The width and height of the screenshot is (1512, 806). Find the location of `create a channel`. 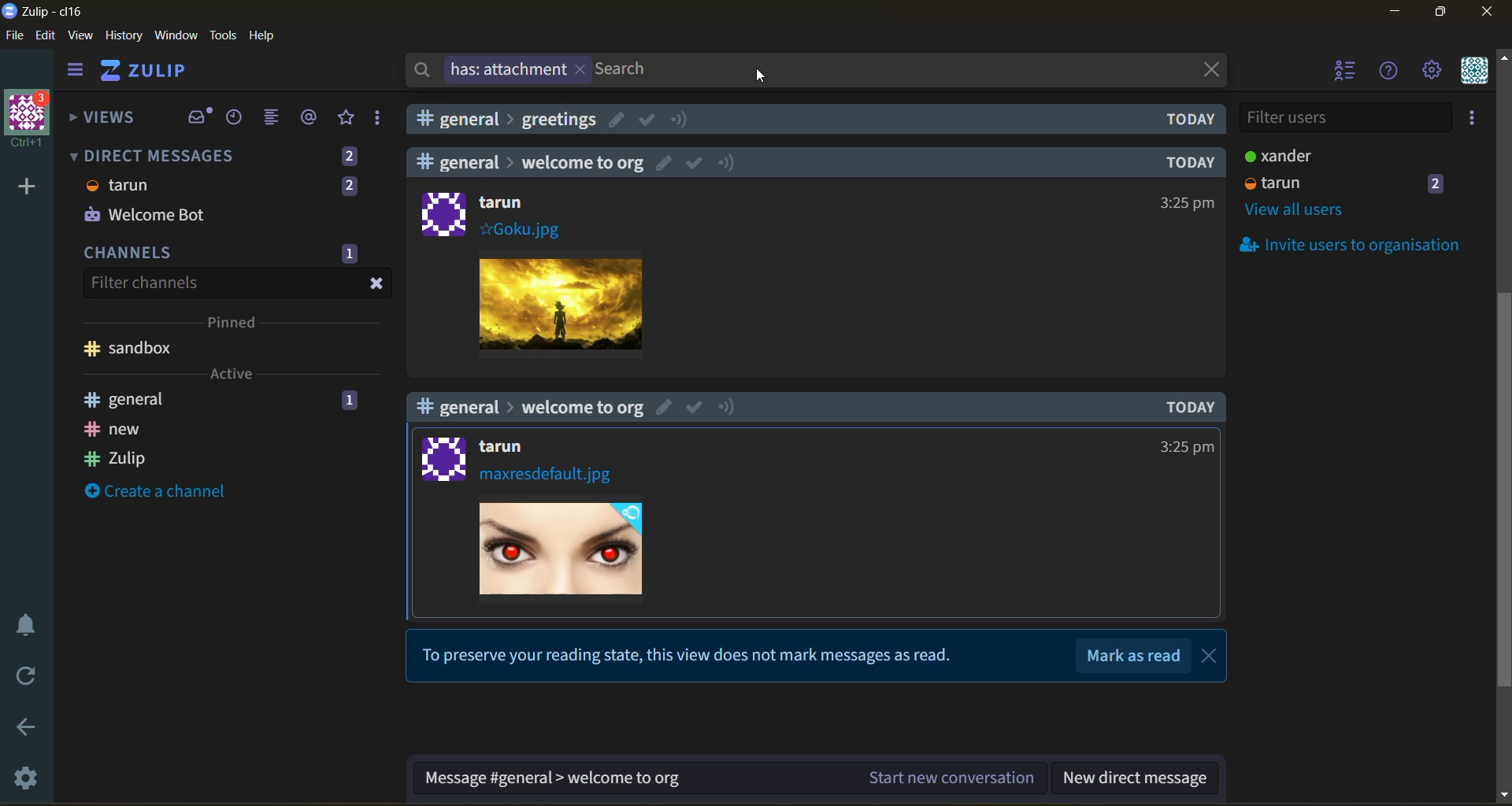

create a channel is located at coordinates (156, 490).